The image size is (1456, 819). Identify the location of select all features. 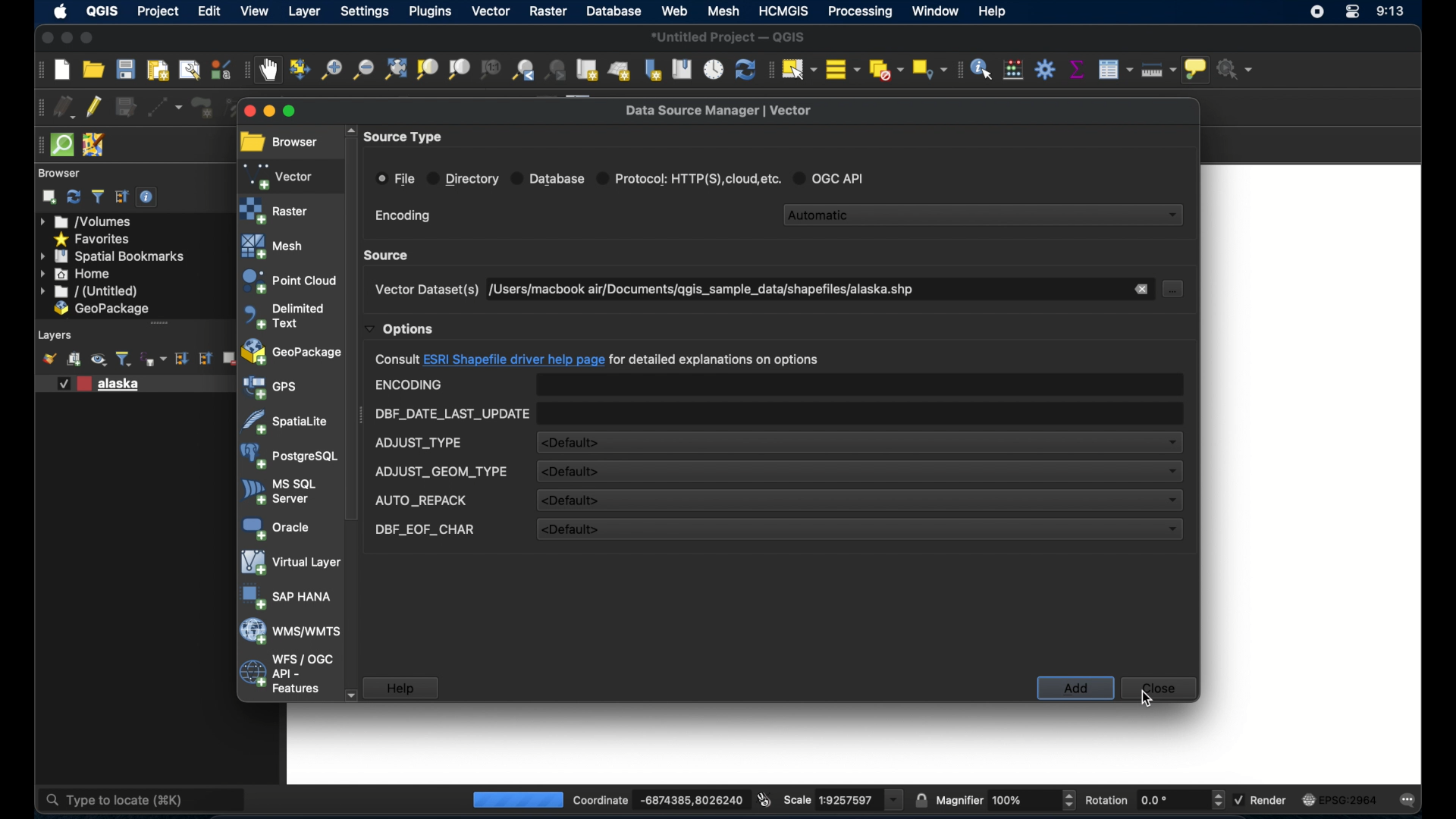
(844, 69).